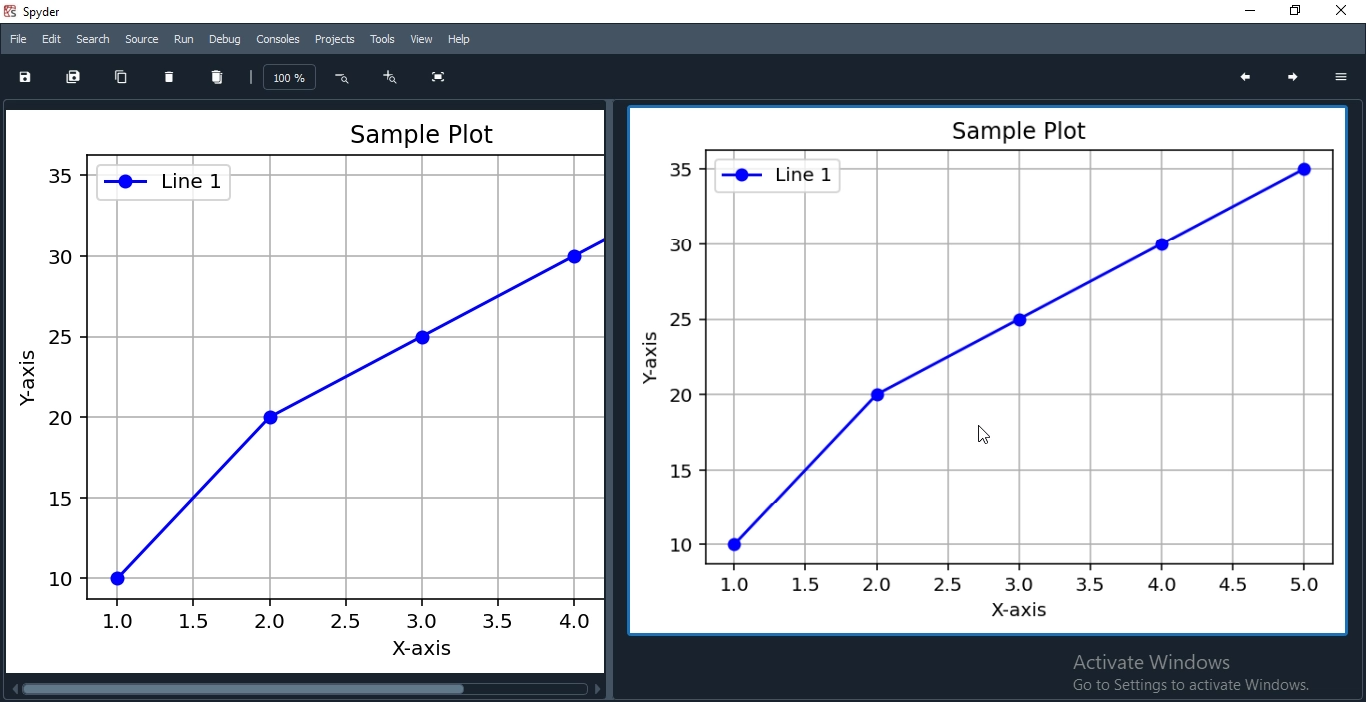 This screenshot has width=1366, height=702. I want to click on next chart, so click(1297, 79).